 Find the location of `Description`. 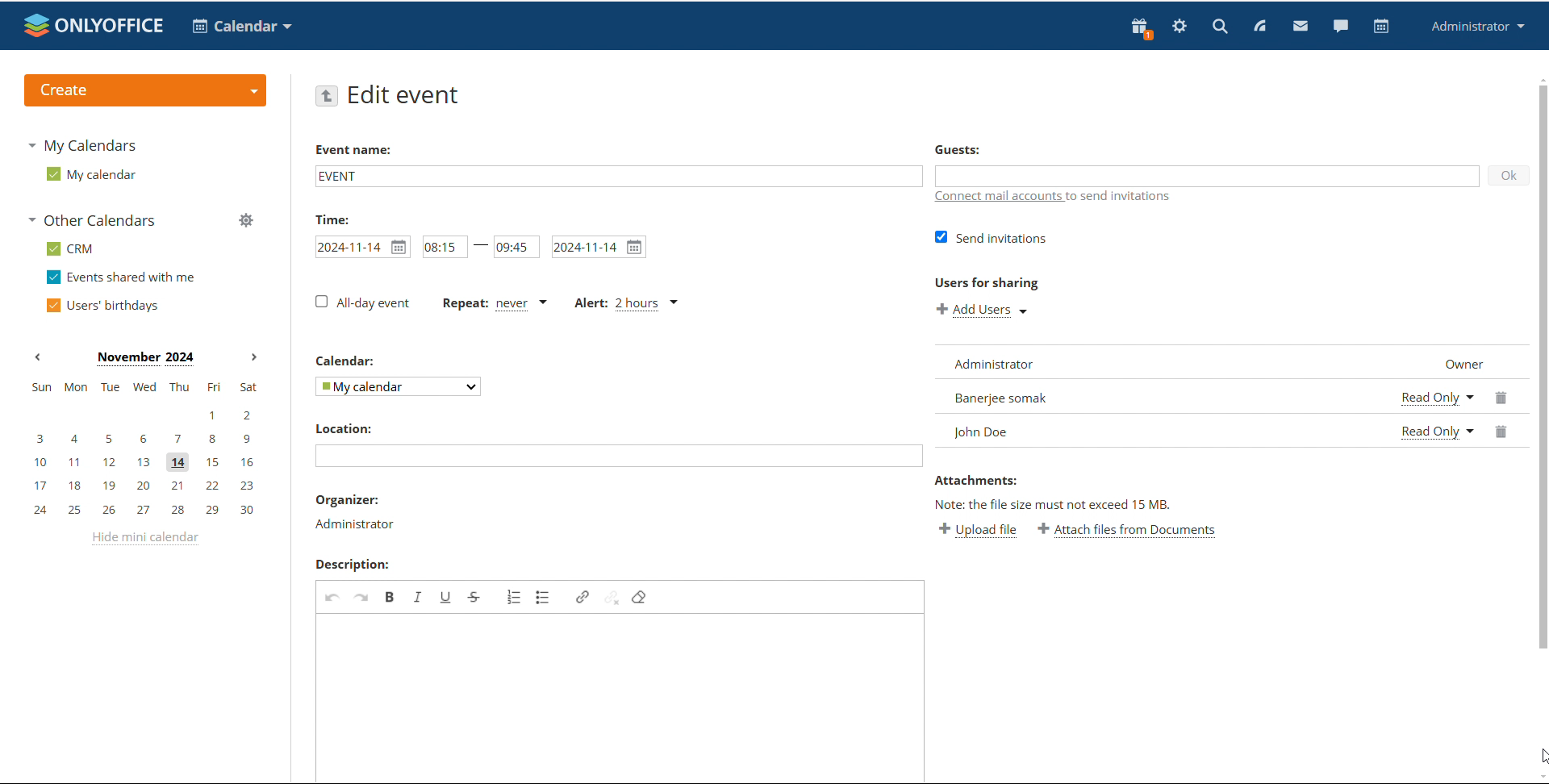

Description is located at coordinates (352, 564).